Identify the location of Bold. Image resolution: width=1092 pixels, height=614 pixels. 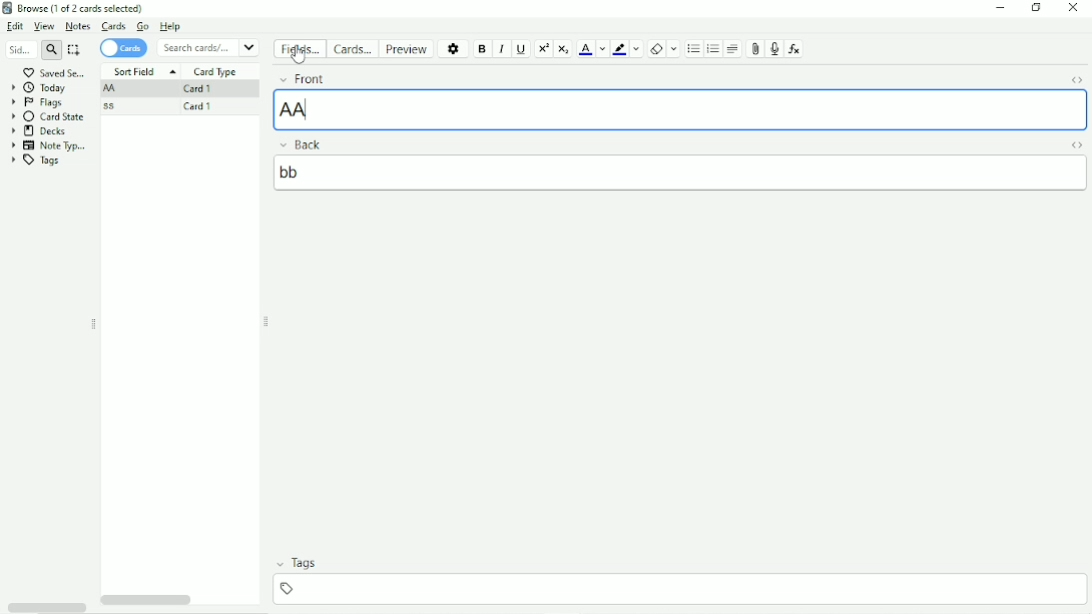
(483, 49).